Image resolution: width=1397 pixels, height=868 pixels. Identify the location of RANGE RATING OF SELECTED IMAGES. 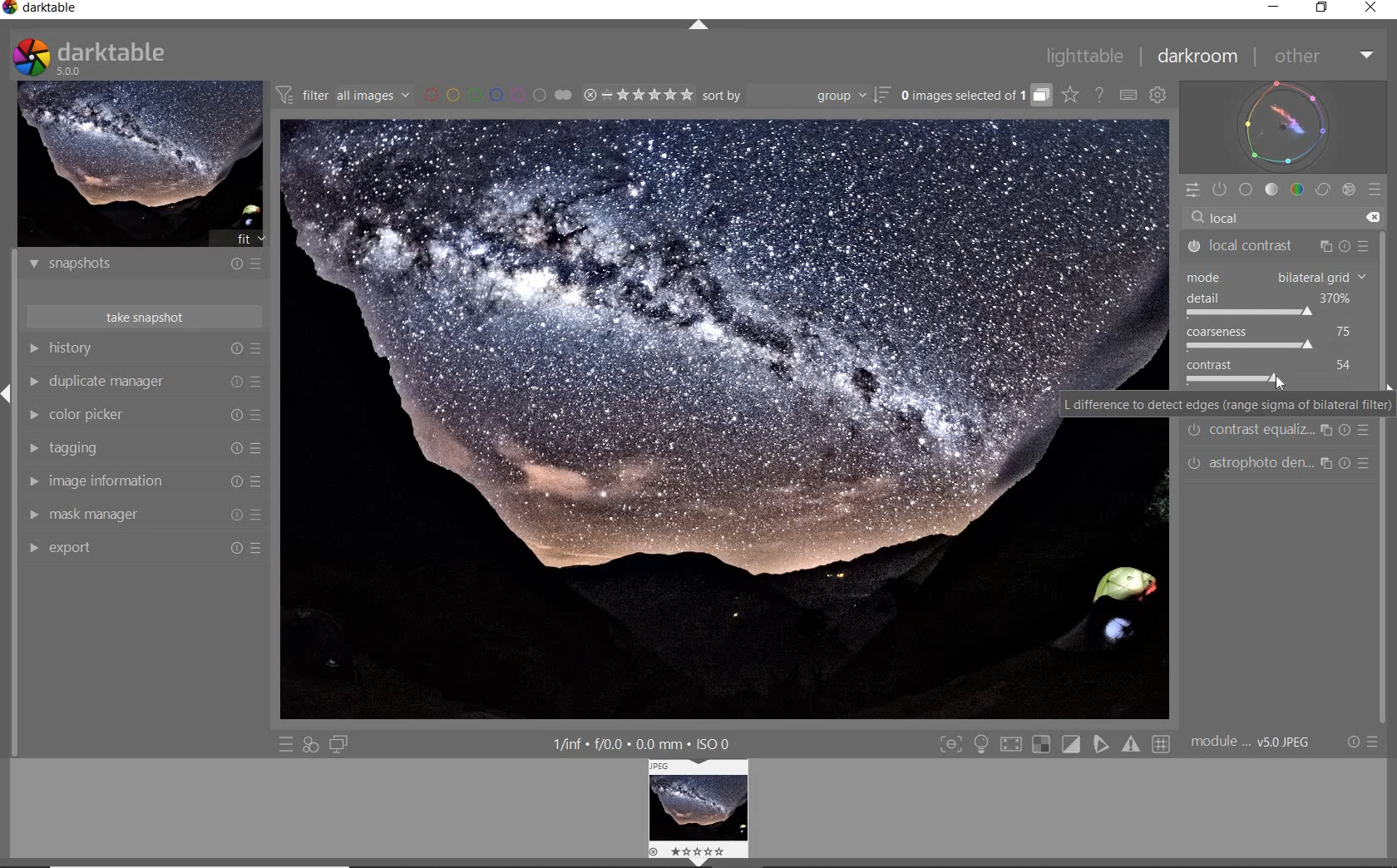
(637, 96).